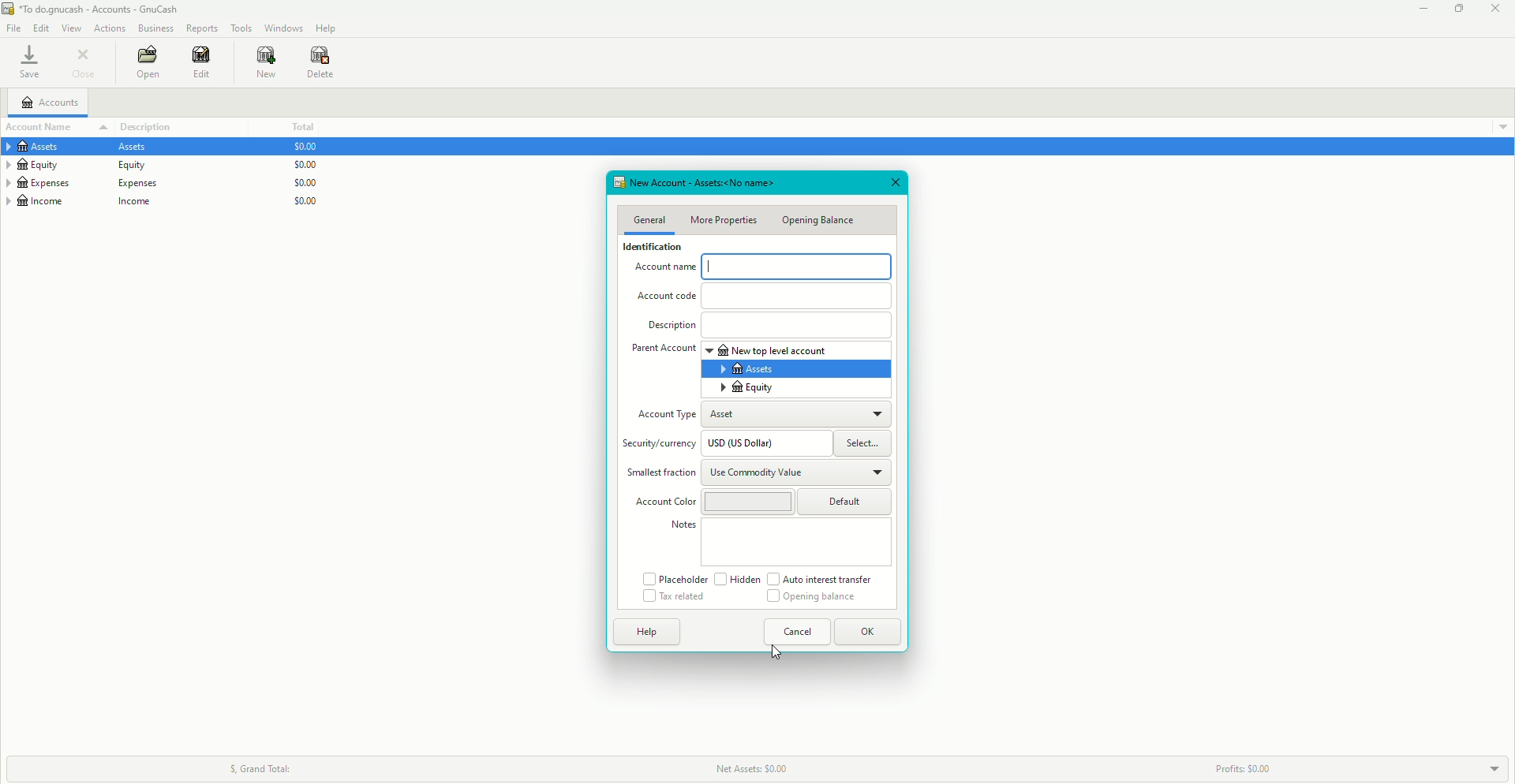  What do you see at coordinates (750, 444) in the screenshot?
I see `USD` at bounding box center [750, 444].